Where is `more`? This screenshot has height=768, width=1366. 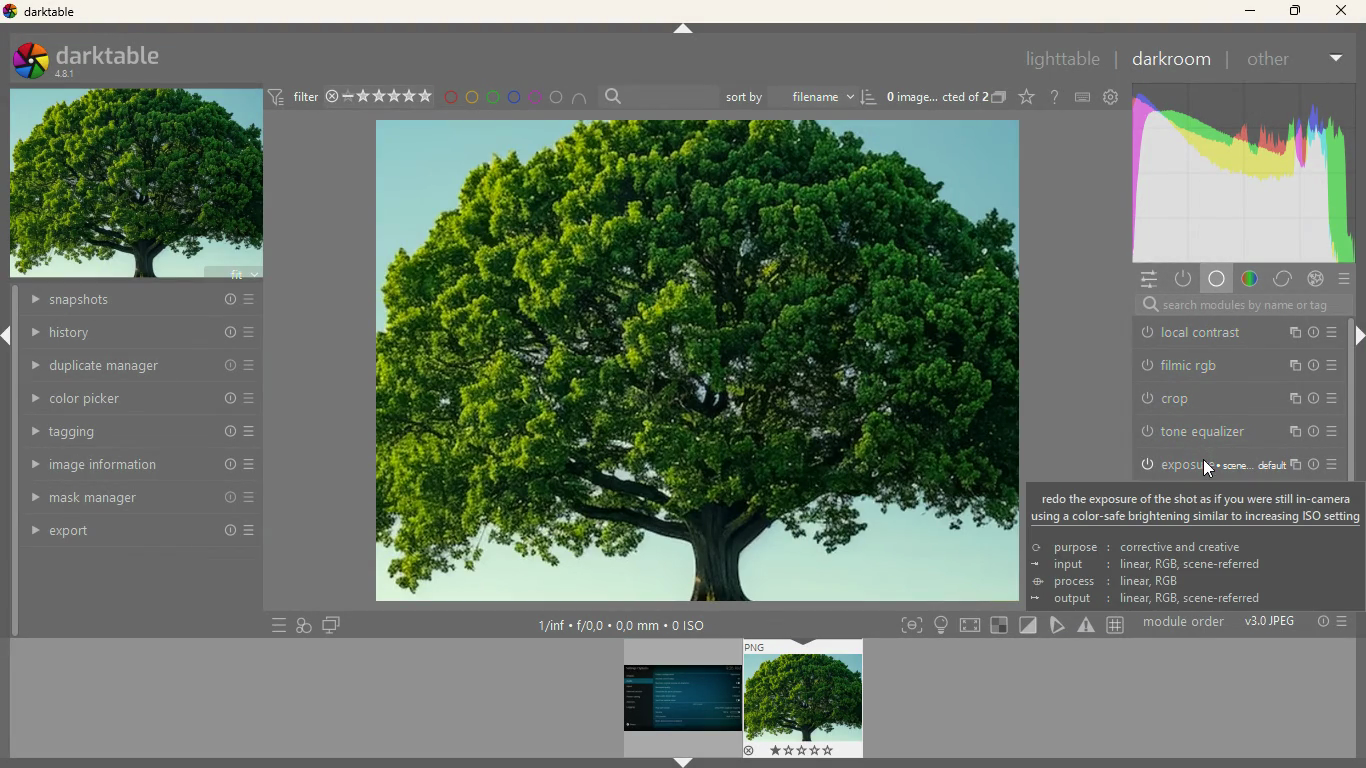 more is located at coordinates (1311, 328).